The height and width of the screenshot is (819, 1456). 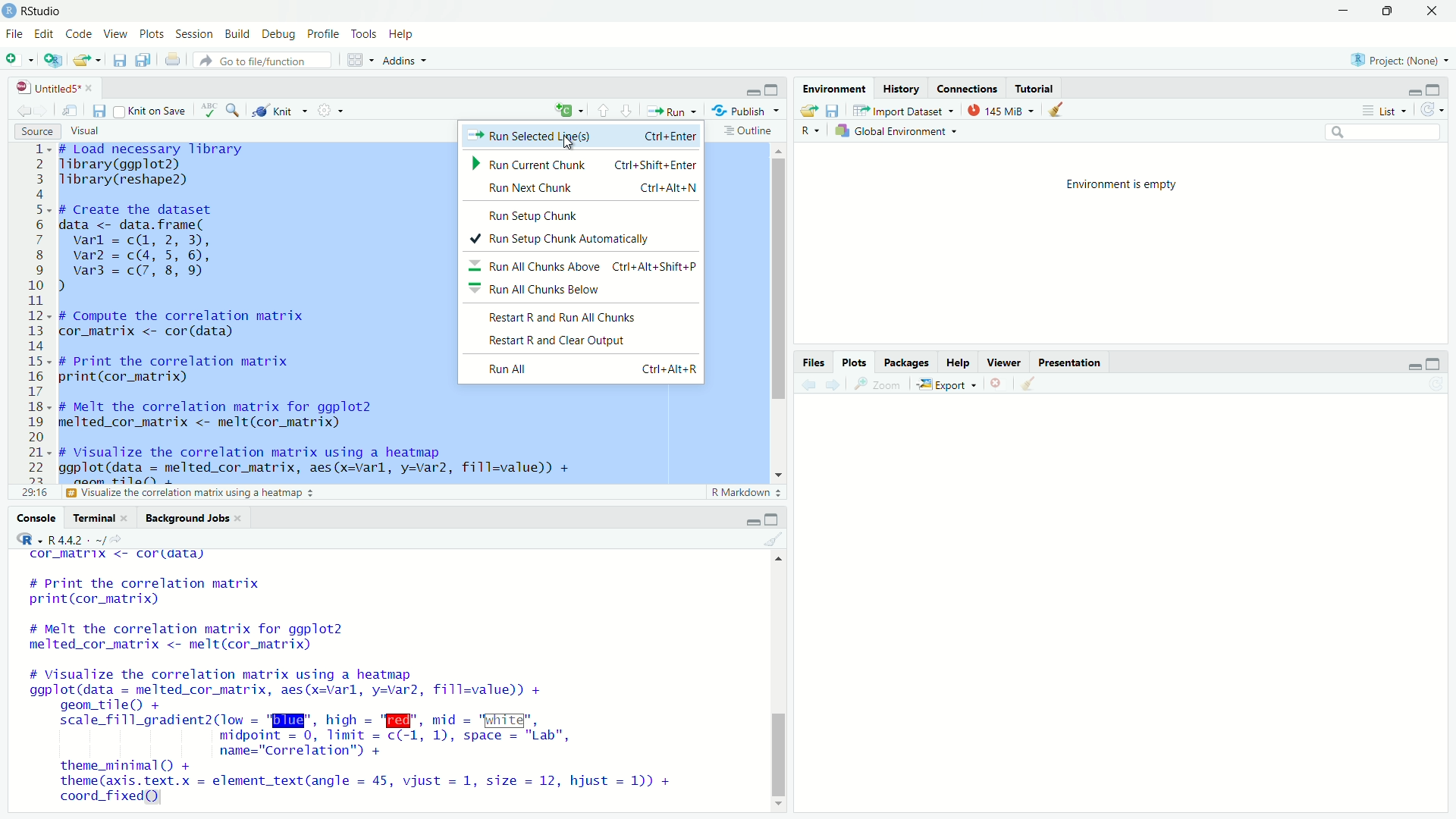 I want to click on previous plot, so click(x=807, y=384).